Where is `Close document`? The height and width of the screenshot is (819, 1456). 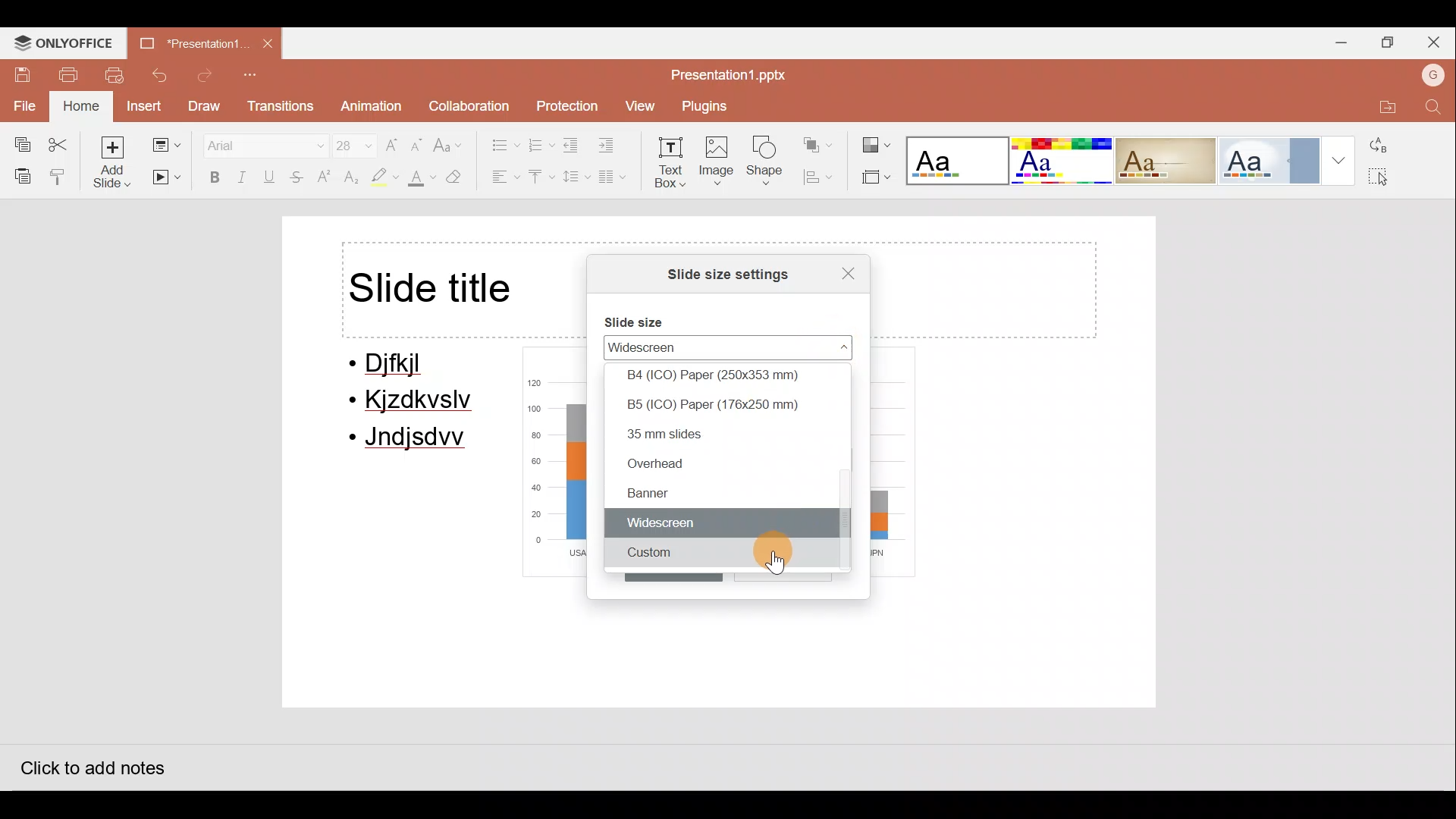
Close document is located at coordinates (269, 45).